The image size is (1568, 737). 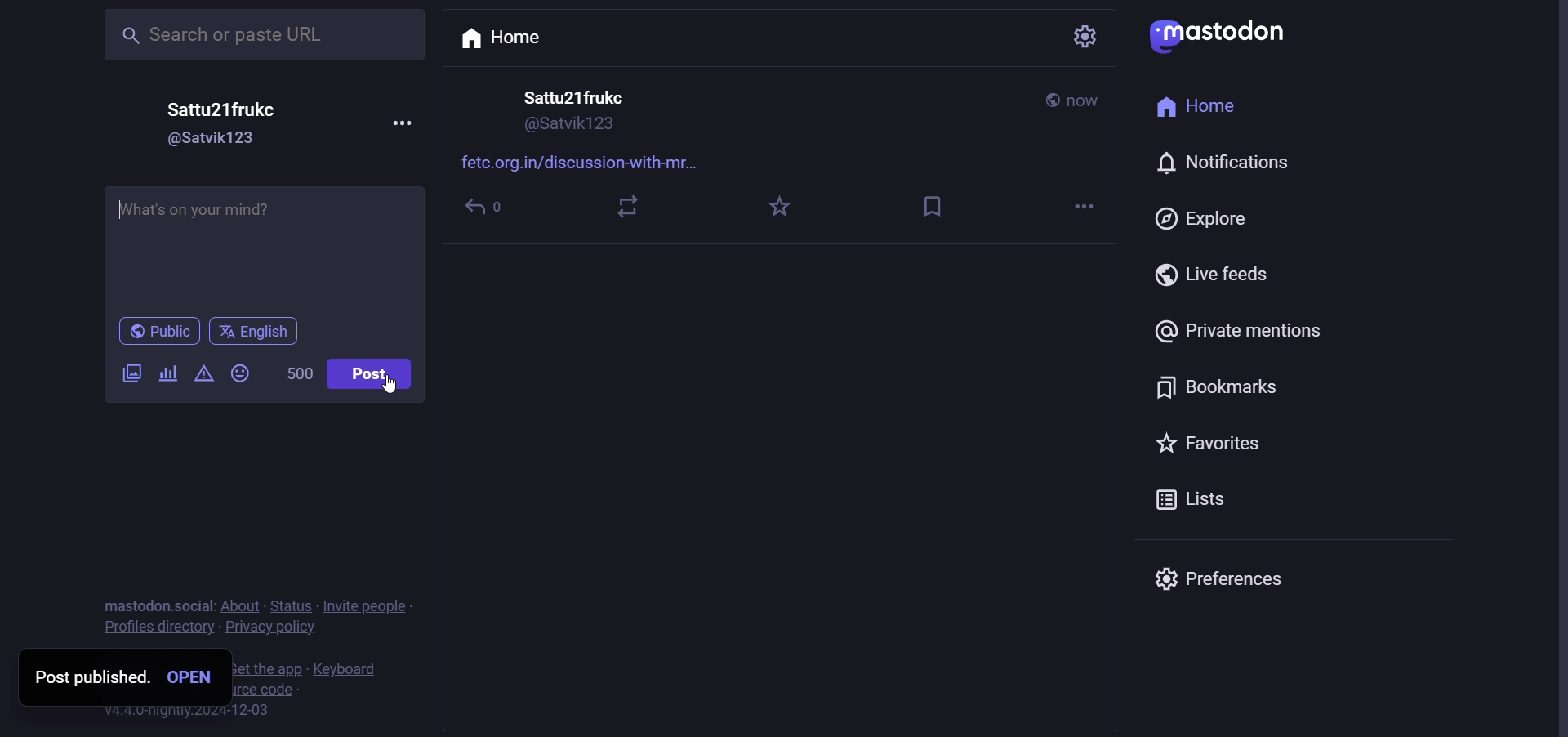 What do you see at coordinates (507, 39) in the screenshot?
I see `home` at bounding box center [507, 39].